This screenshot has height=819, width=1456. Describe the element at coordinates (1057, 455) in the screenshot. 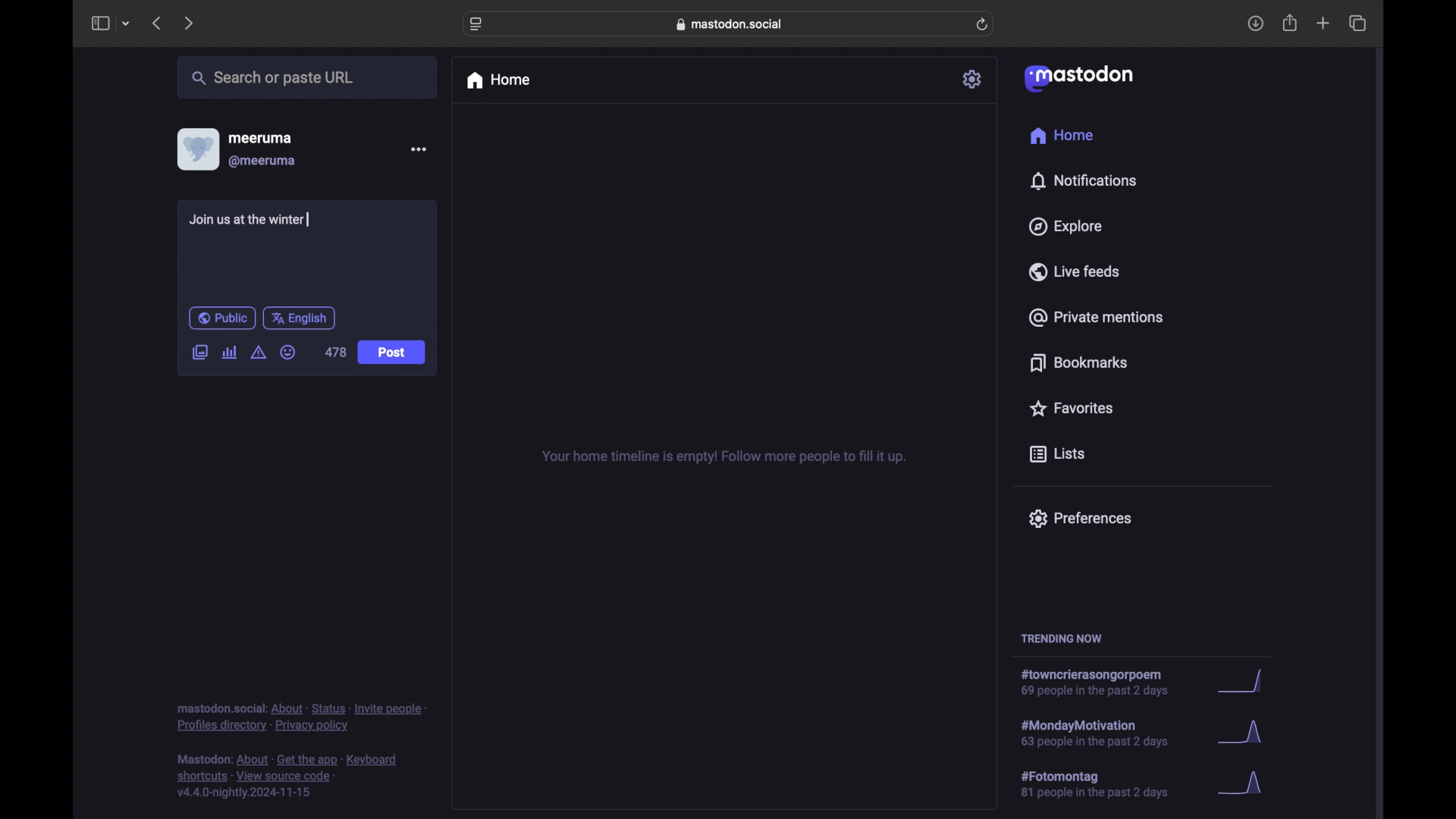

I see `lists` at that location.